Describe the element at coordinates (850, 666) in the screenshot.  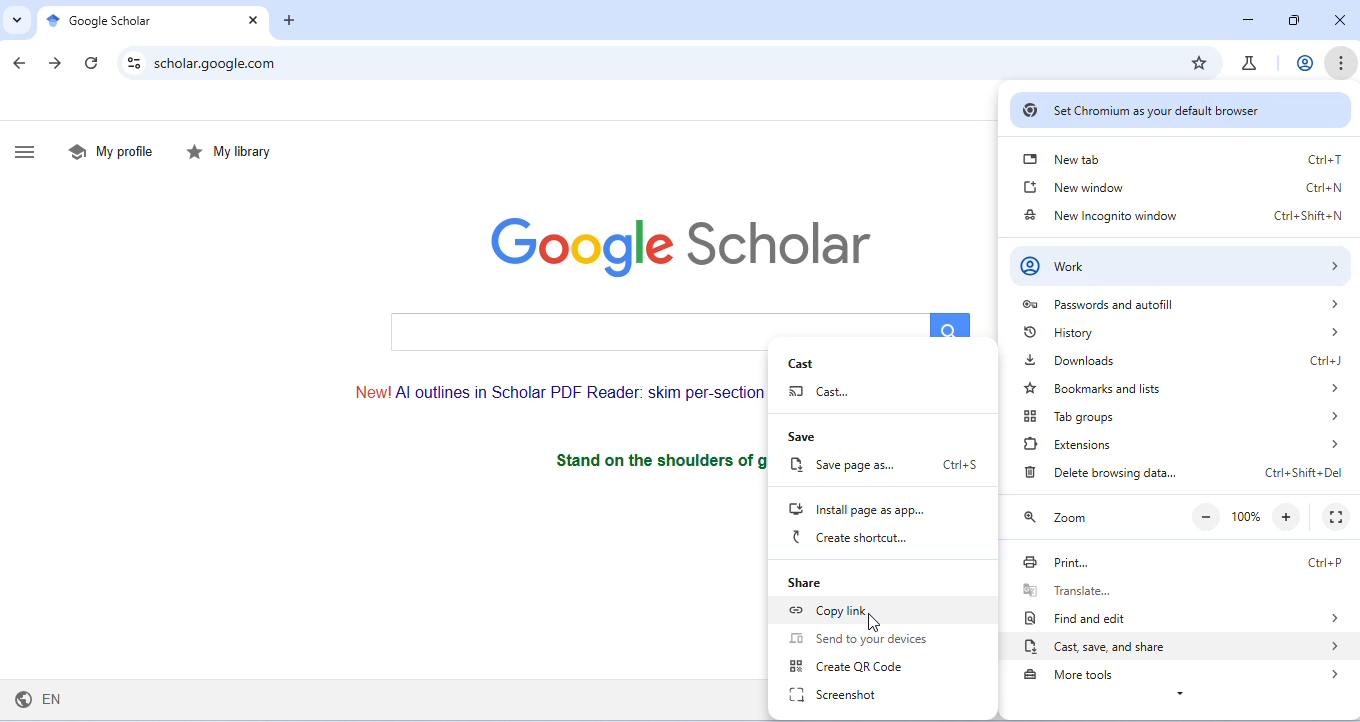
I see `create QR Code` at that location.